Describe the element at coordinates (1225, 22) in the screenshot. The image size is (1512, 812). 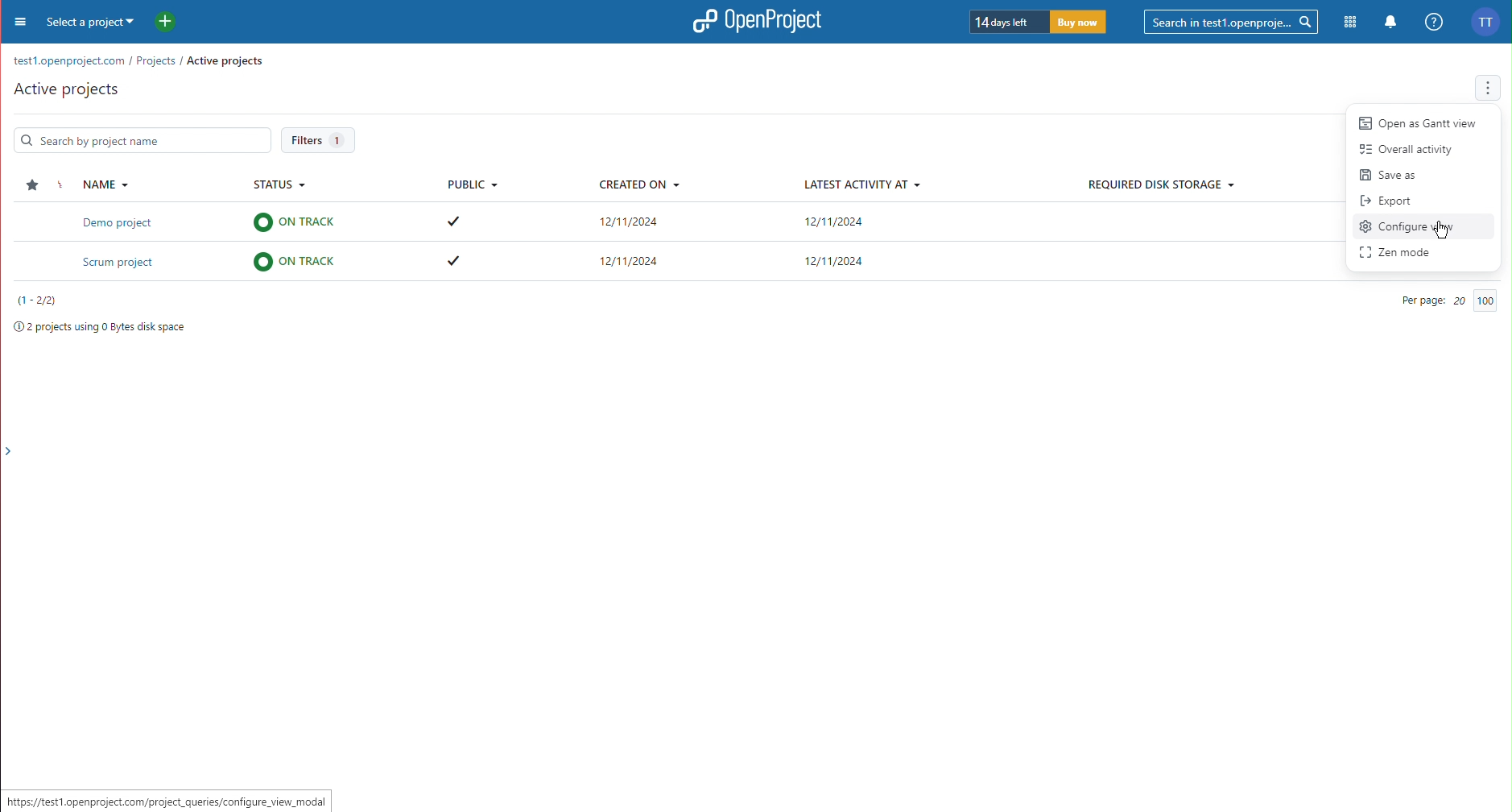
I see `Searchbar` at that location.